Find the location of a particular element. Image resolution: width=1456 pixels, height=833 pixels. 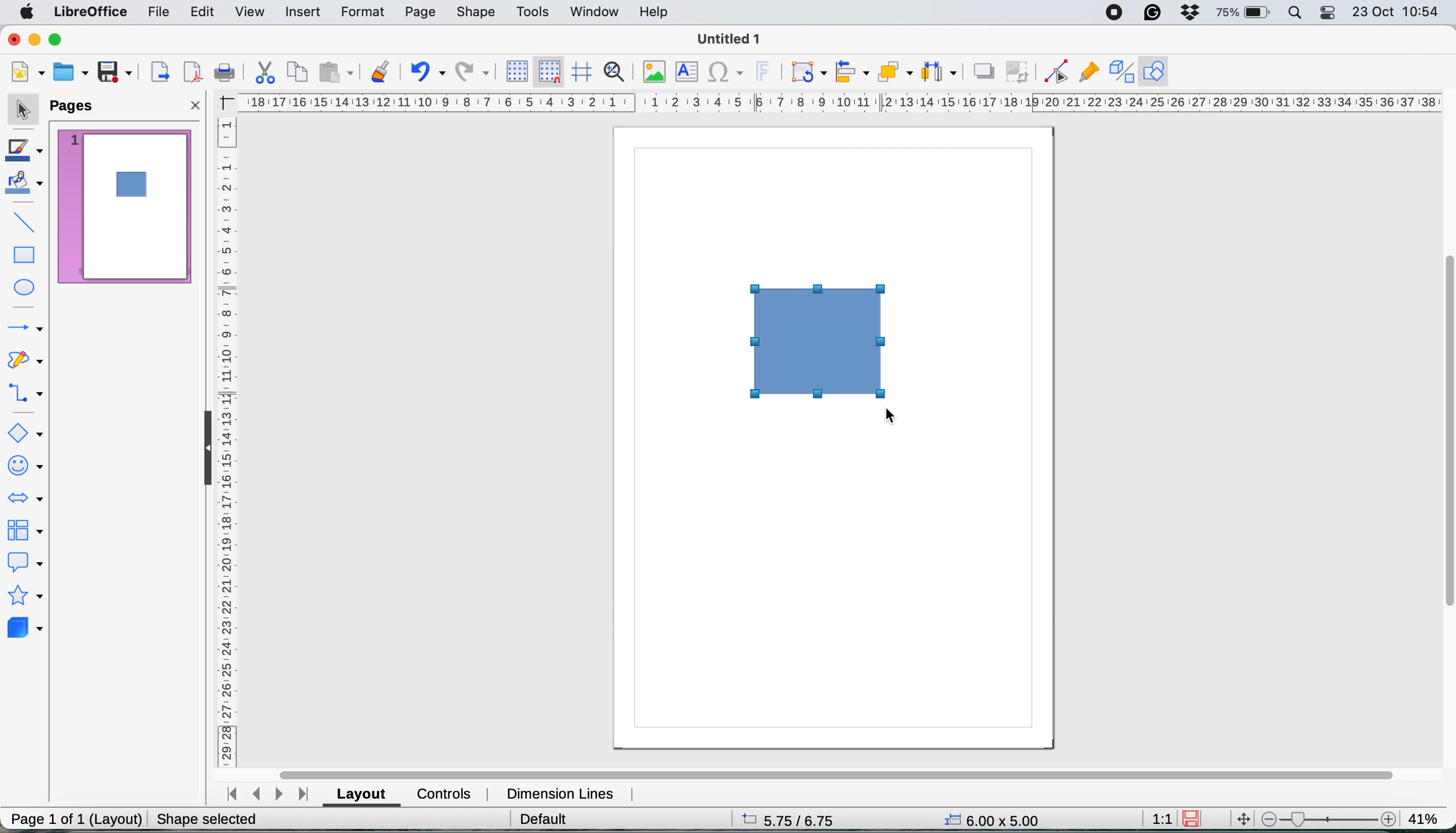

window is located at coordinates (594, 10).